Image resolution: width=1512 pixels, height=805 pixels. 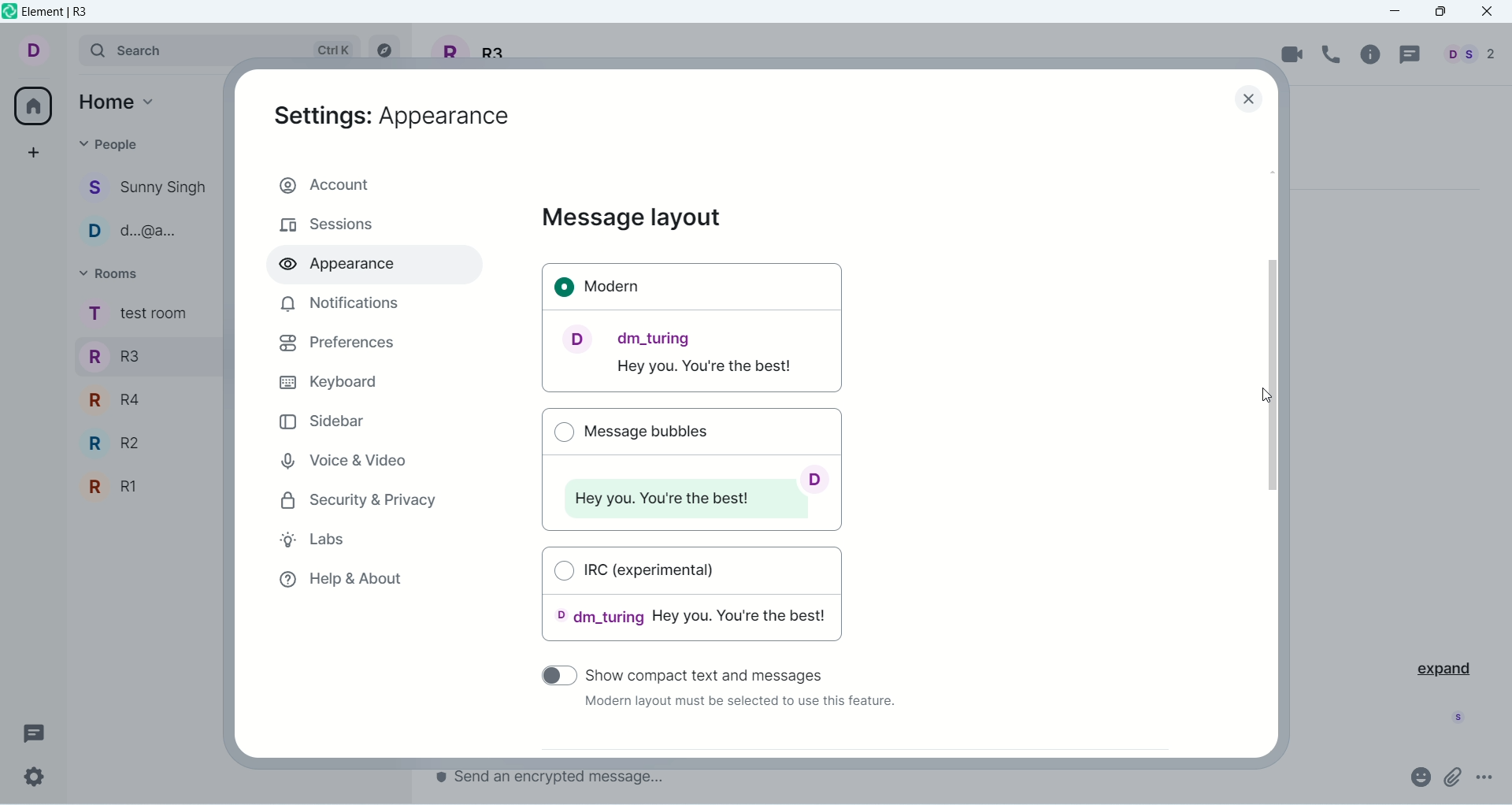 I want to click on expand, so click(x=1442, y=667).